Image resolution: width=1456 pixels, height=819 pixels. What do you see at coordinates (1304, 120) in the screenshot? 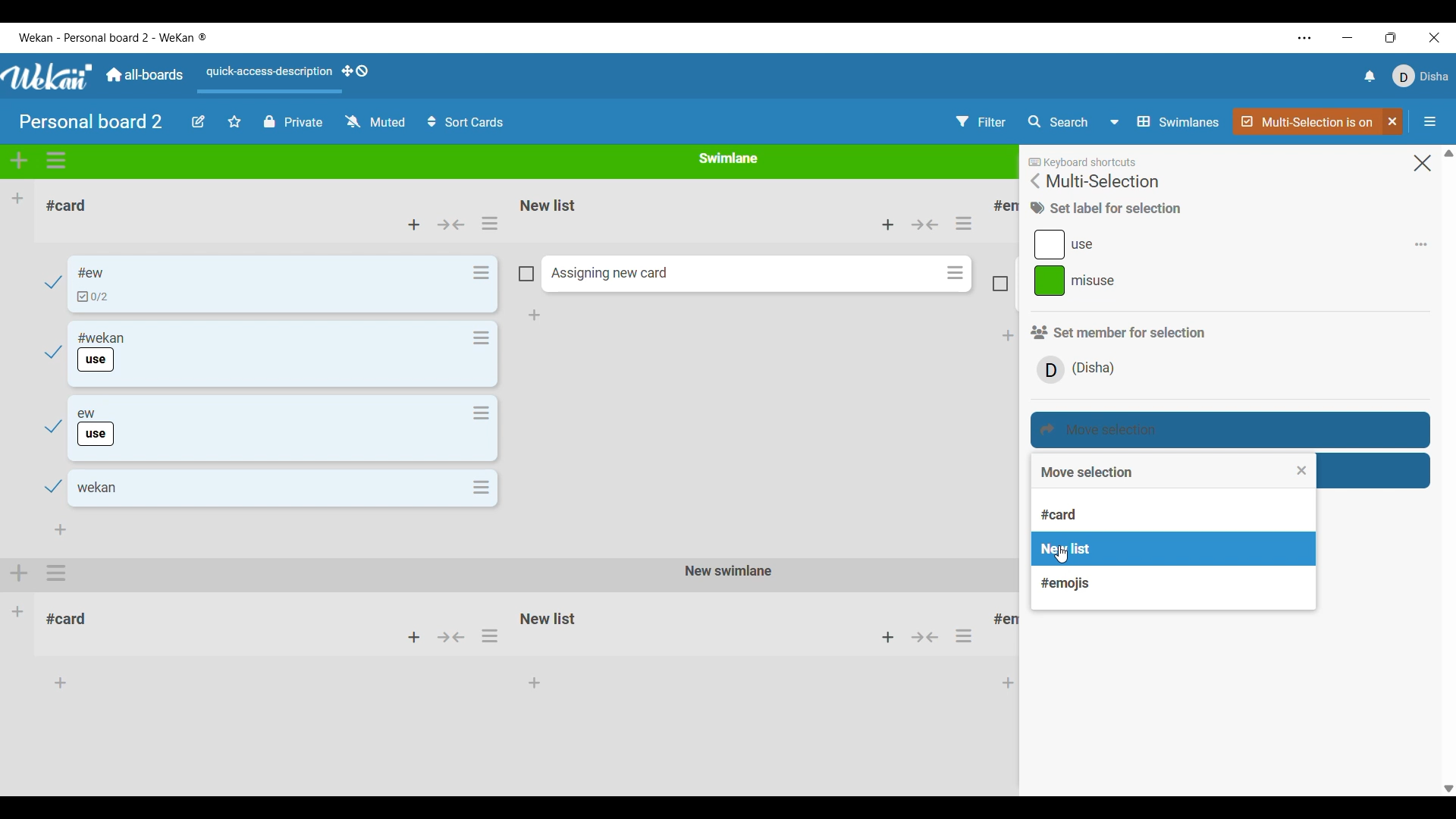
I see `Indicates multi-selection if active` at bounding box center [1304, 120].